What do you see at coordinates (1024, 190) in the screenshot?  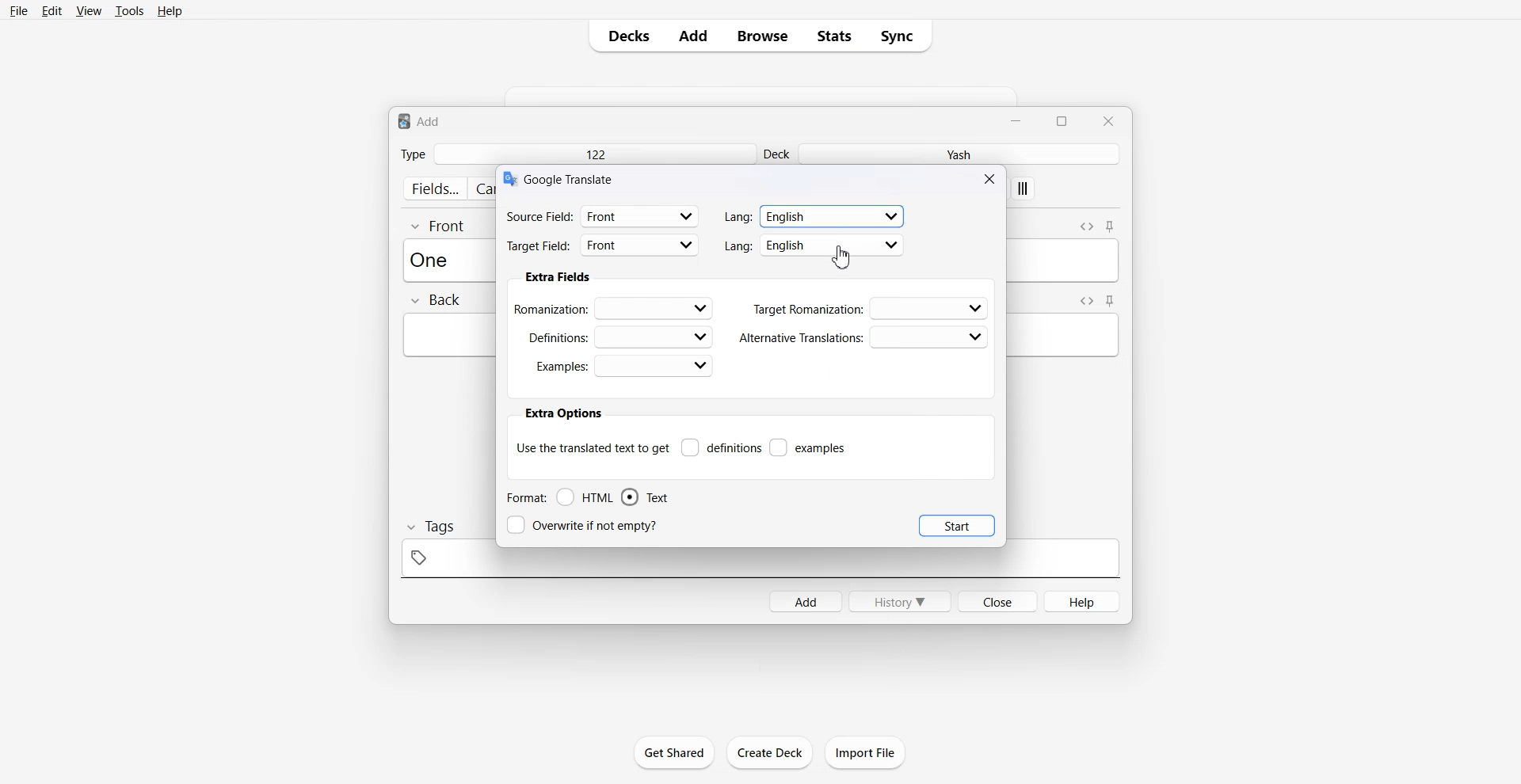 I see `apply custom style` at bounding box center [1024, 190].